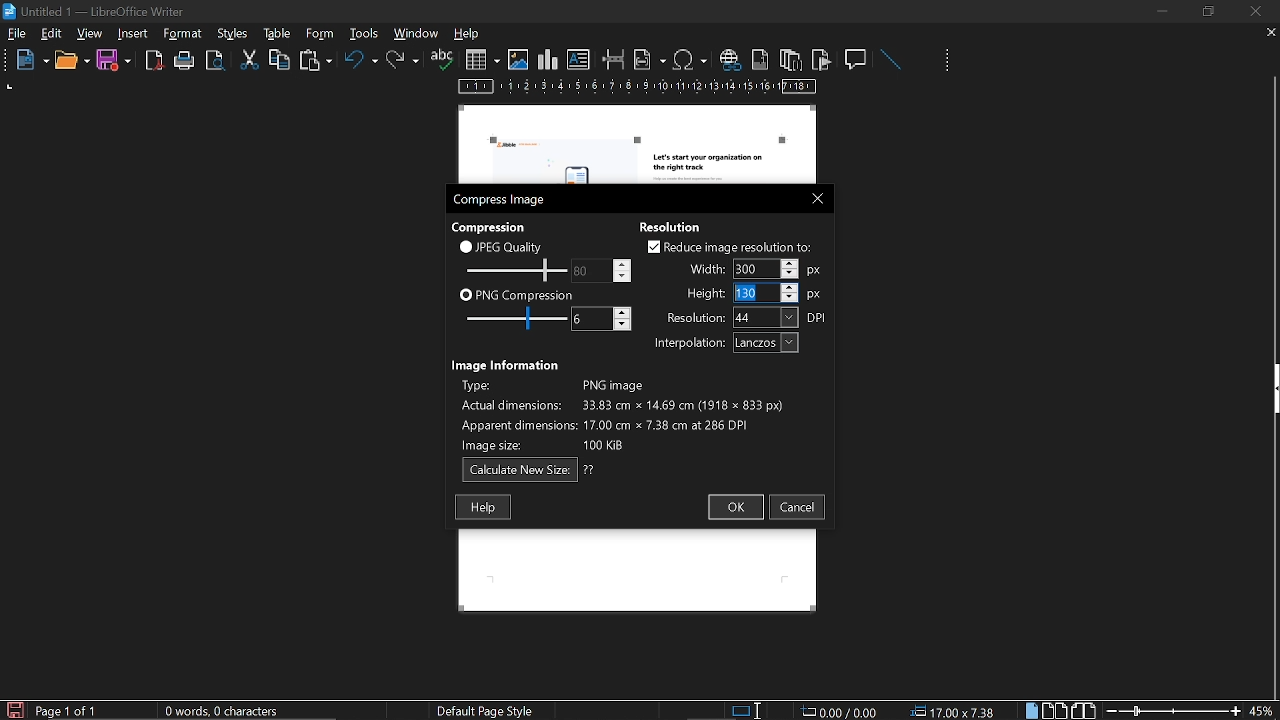 The height and width of the screenshot is (720, 1280). I want to click on word count, so click(229, 711).